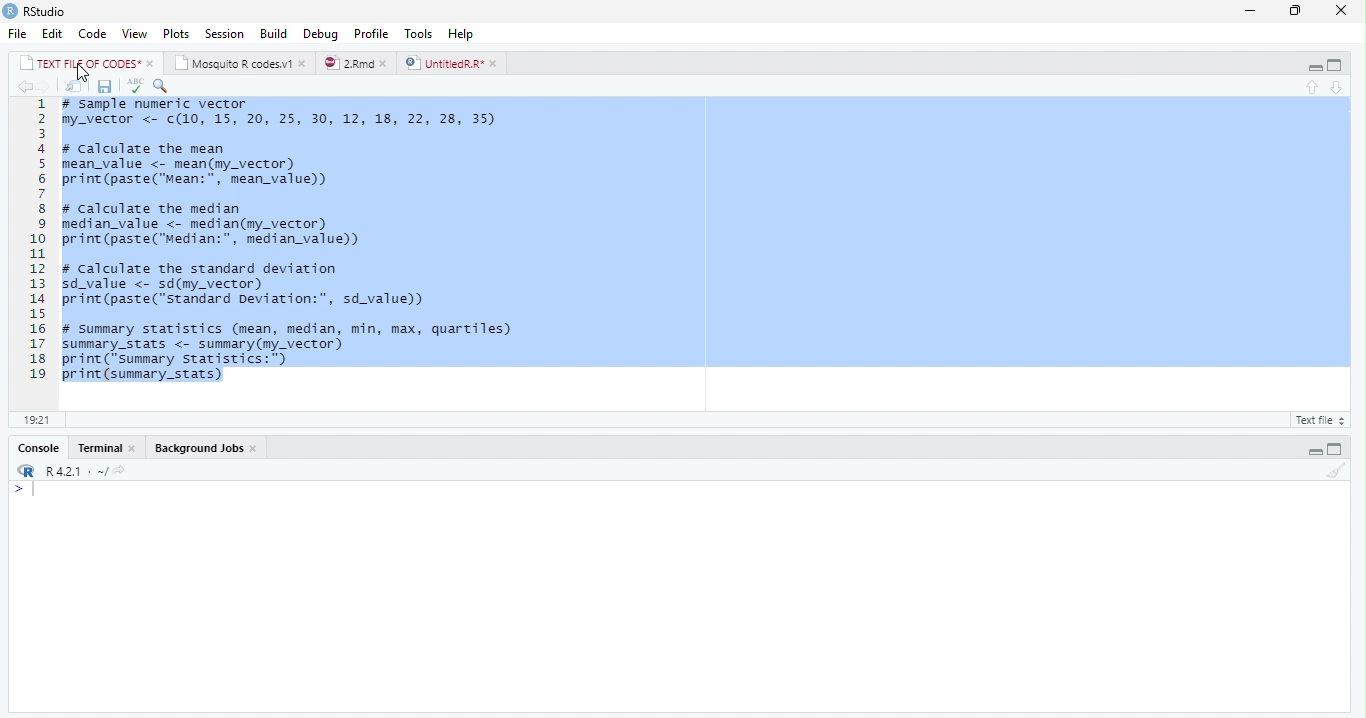 This screenshot has width=1366, height=718. Describe the element at coordinates (41, 449) in the screenshot. I see `Console` at that location.